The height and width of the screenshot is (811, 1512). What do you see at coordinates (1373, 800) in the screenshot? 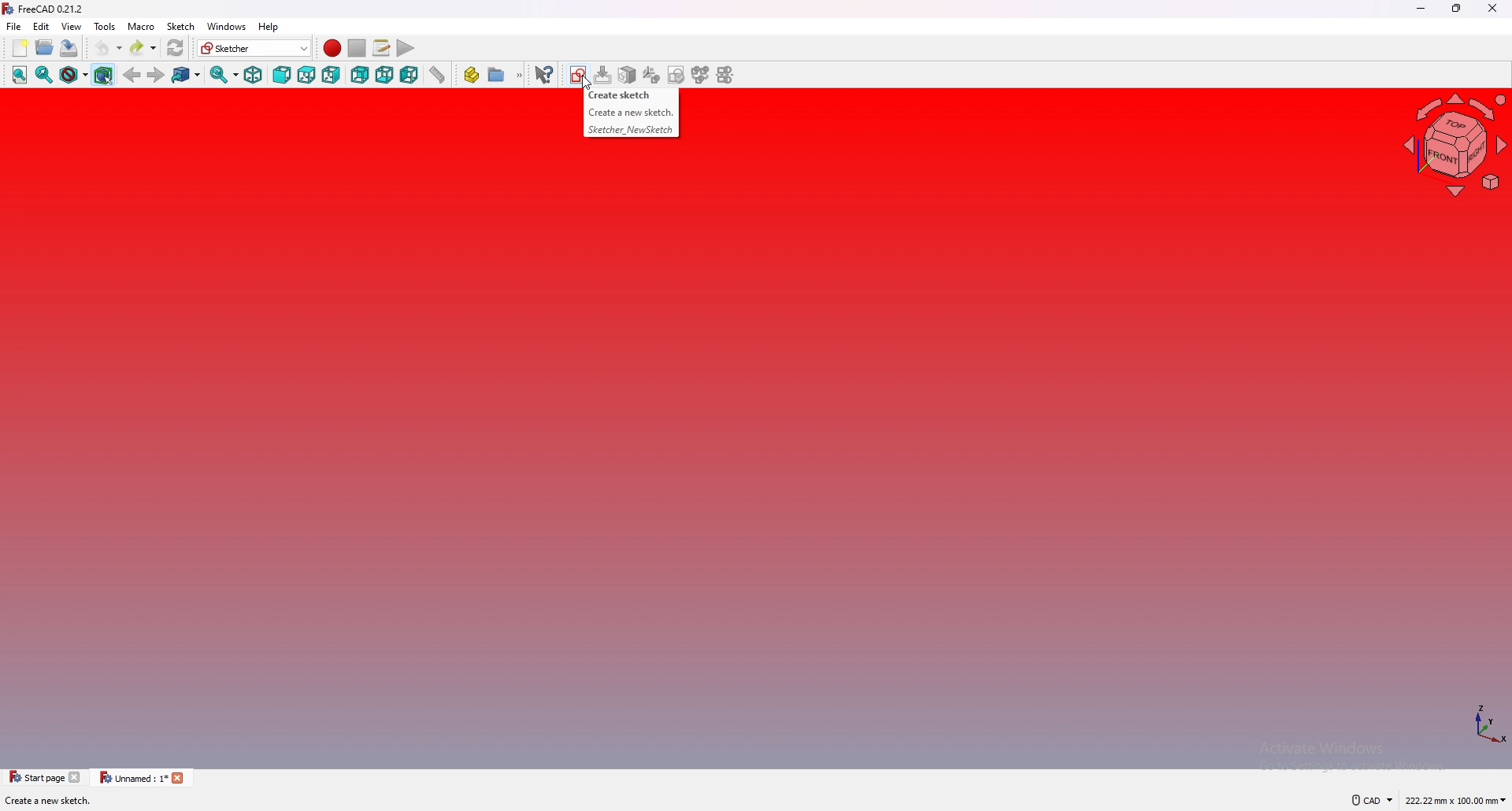
I see `cad navigation` at bounding box center [1373, 800].